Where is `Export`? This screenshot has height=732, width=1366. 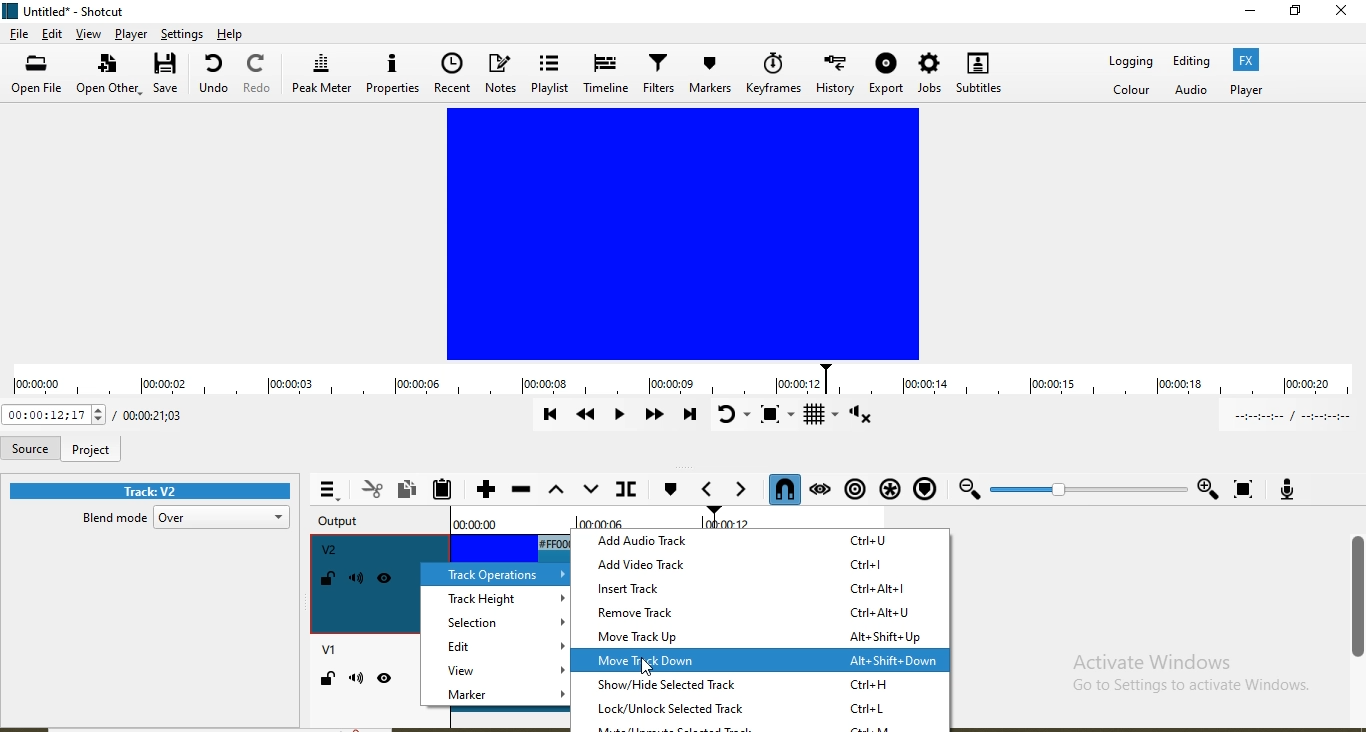
Export is located at coordinates (886, 77).